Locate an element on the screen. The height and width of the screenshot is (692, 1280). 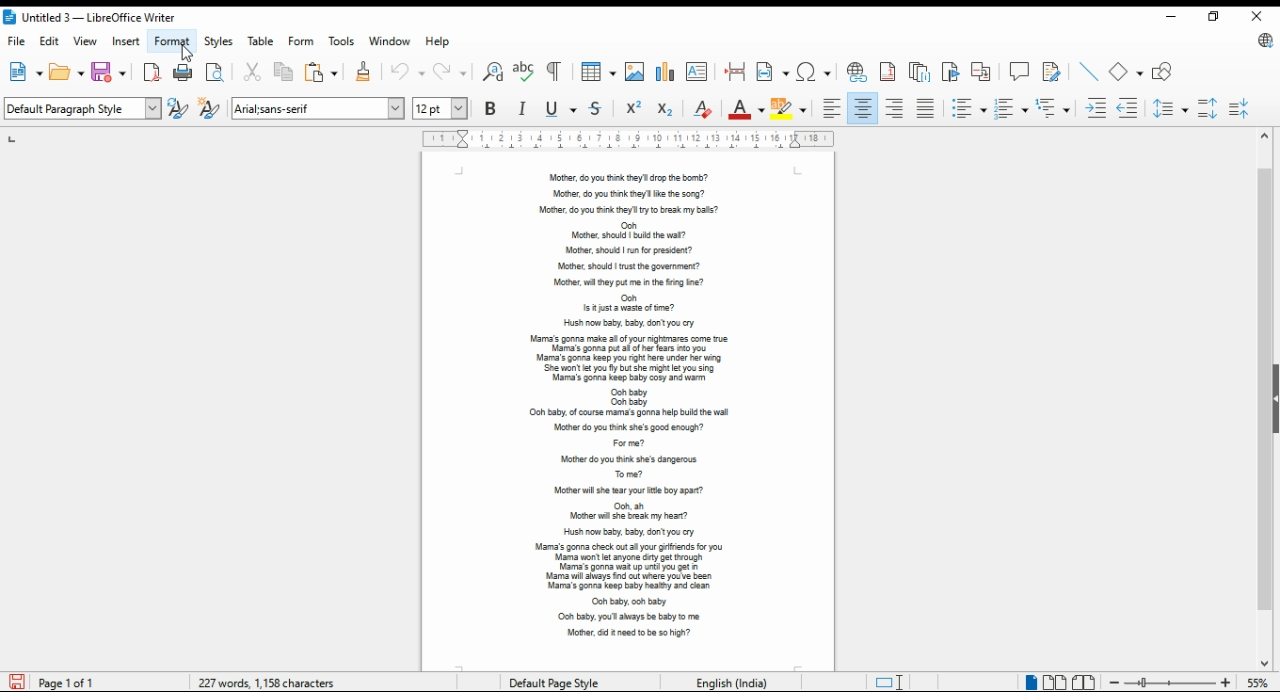
strikethrough is located at coordinates (596, 107).